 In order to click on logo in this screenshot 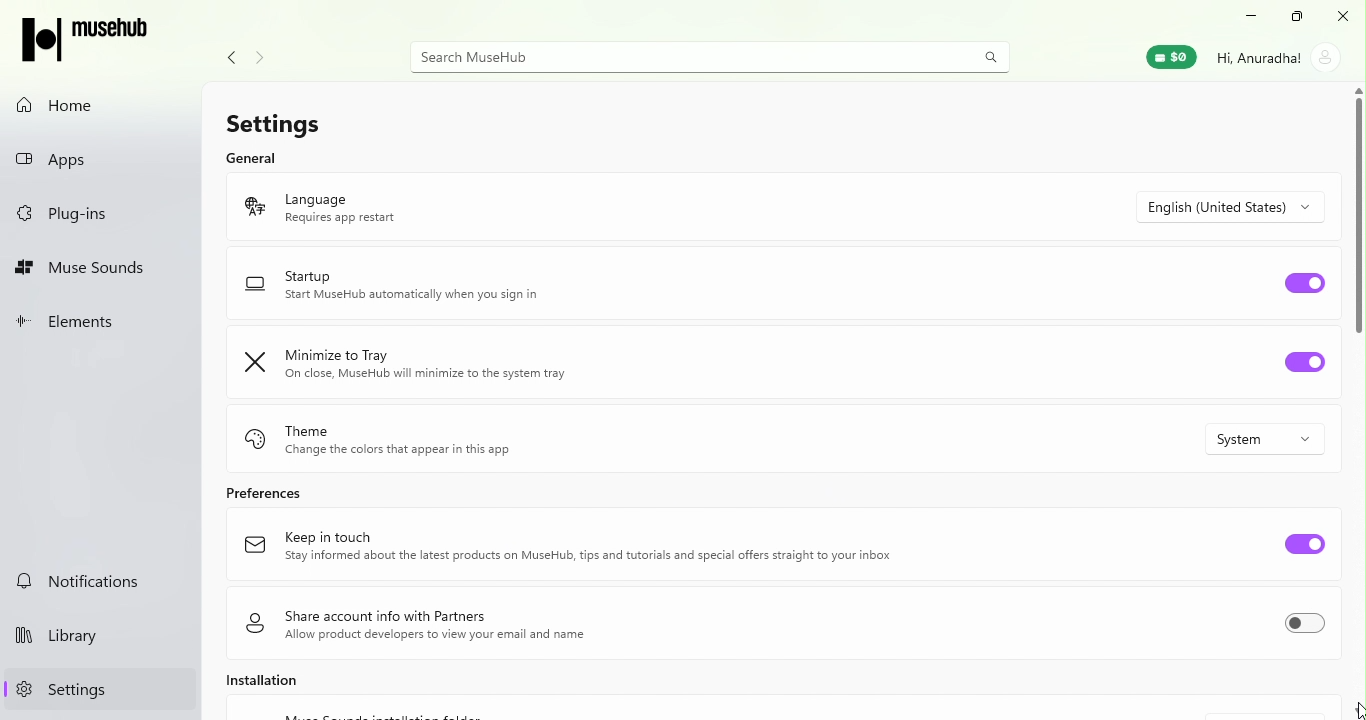, I will do `click(254, 626)`.